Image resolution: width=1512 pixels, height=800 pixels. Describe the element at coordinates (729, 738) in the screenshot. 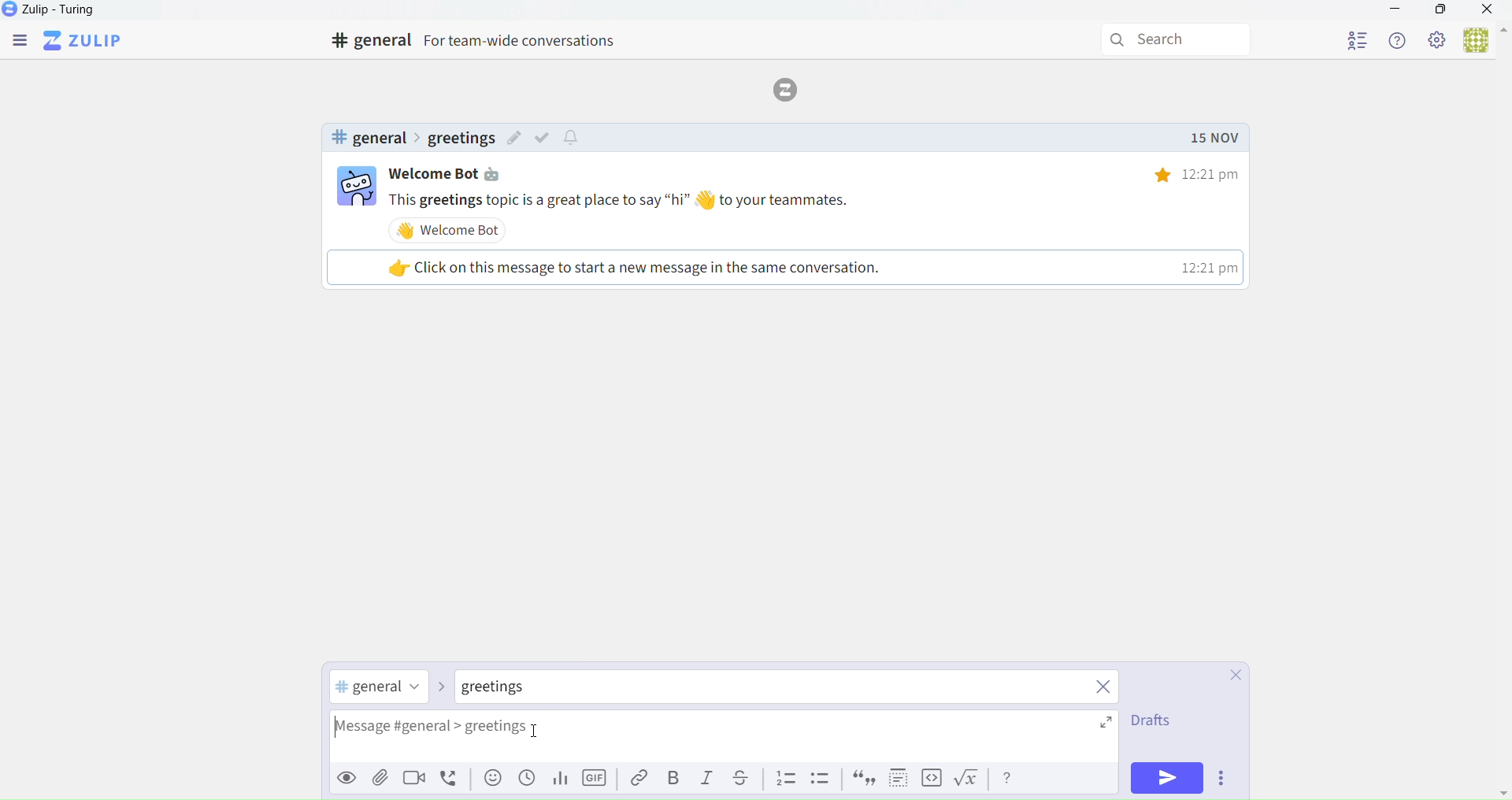

I see `Message` at that location.